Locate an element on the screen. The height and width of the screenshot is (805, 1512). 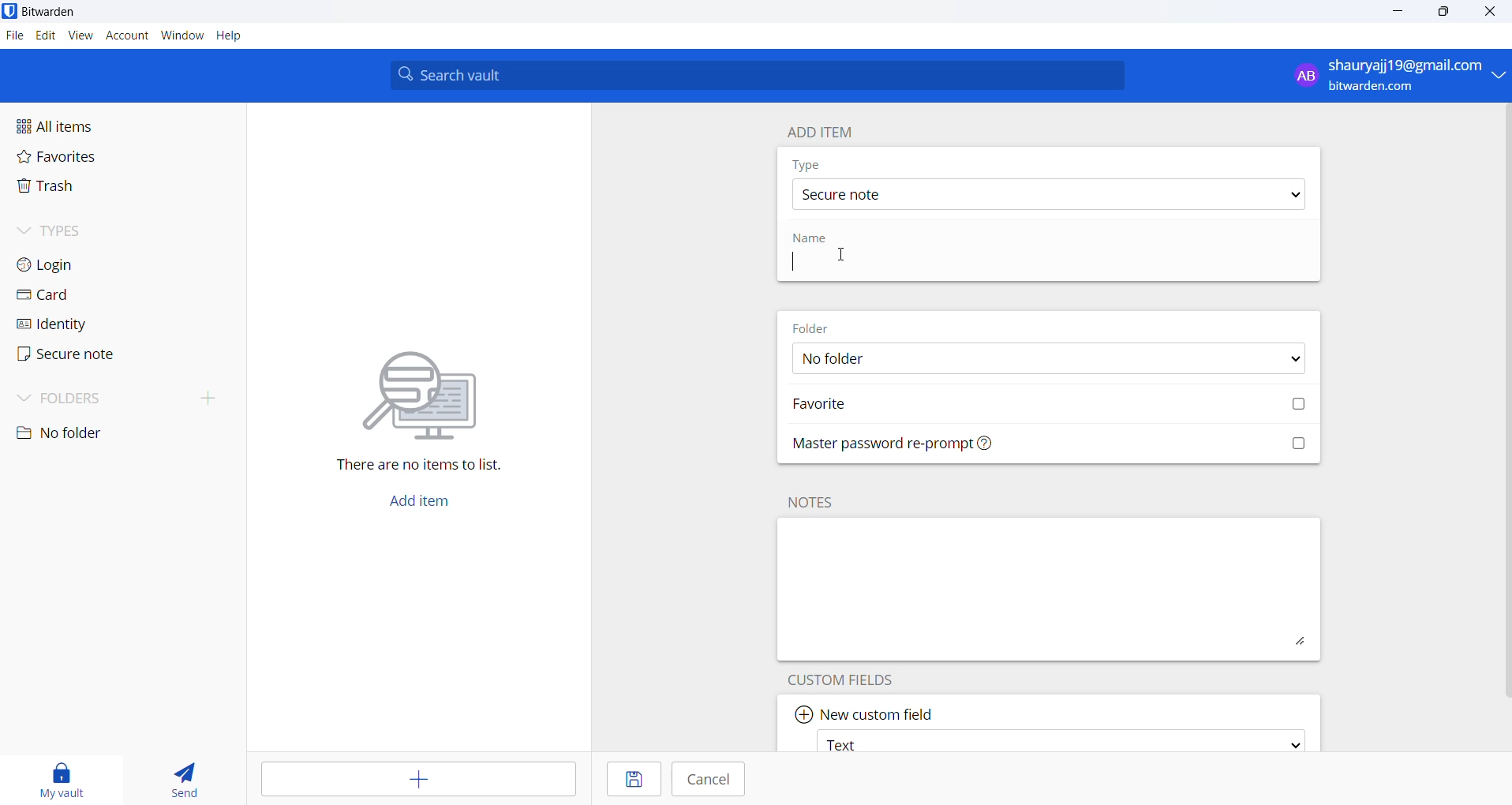
minimize is located at coordinates (1400, 12).